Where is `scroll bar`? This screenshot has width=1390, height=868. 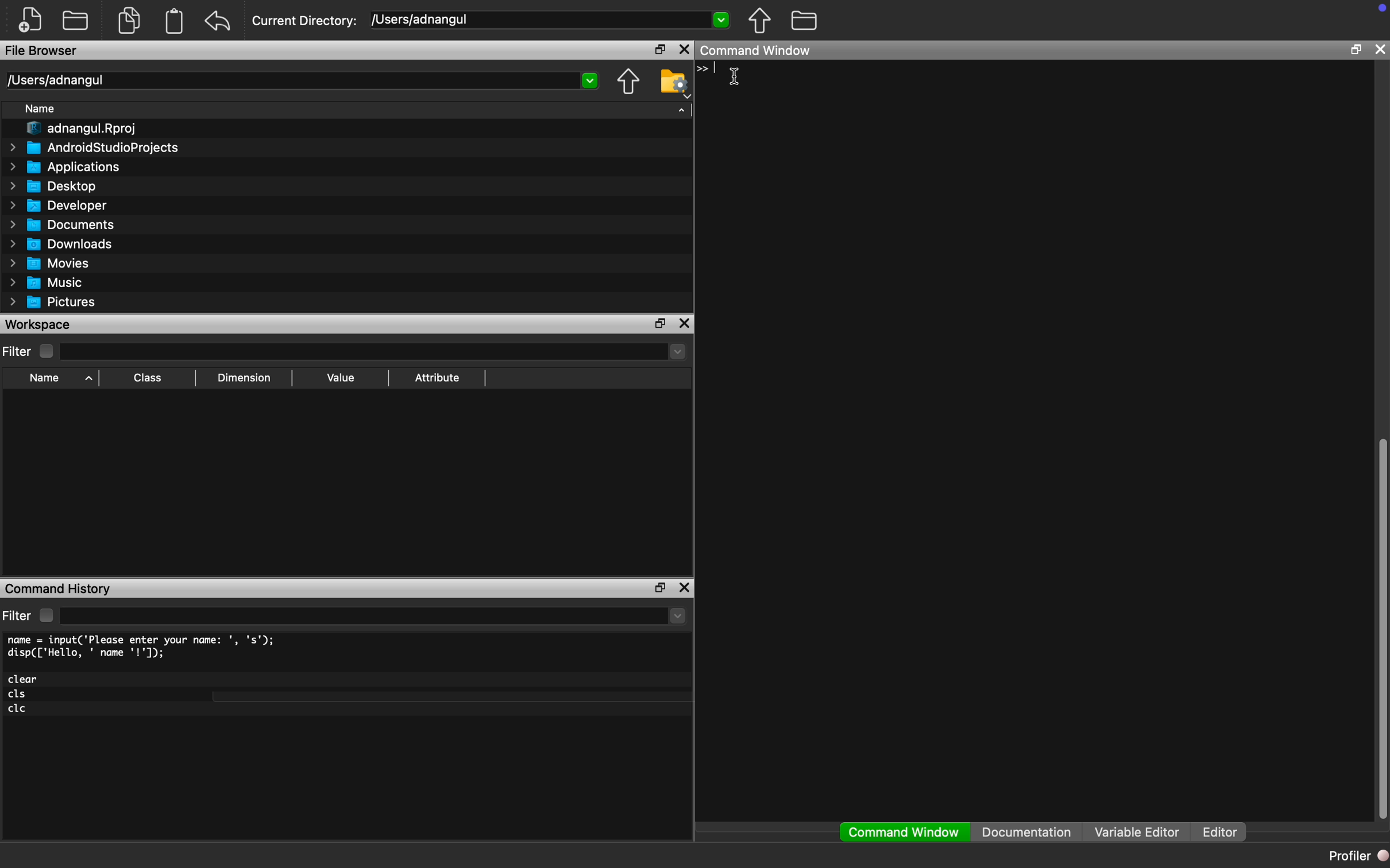 scroll bar is located at coordinates (1381, 625).